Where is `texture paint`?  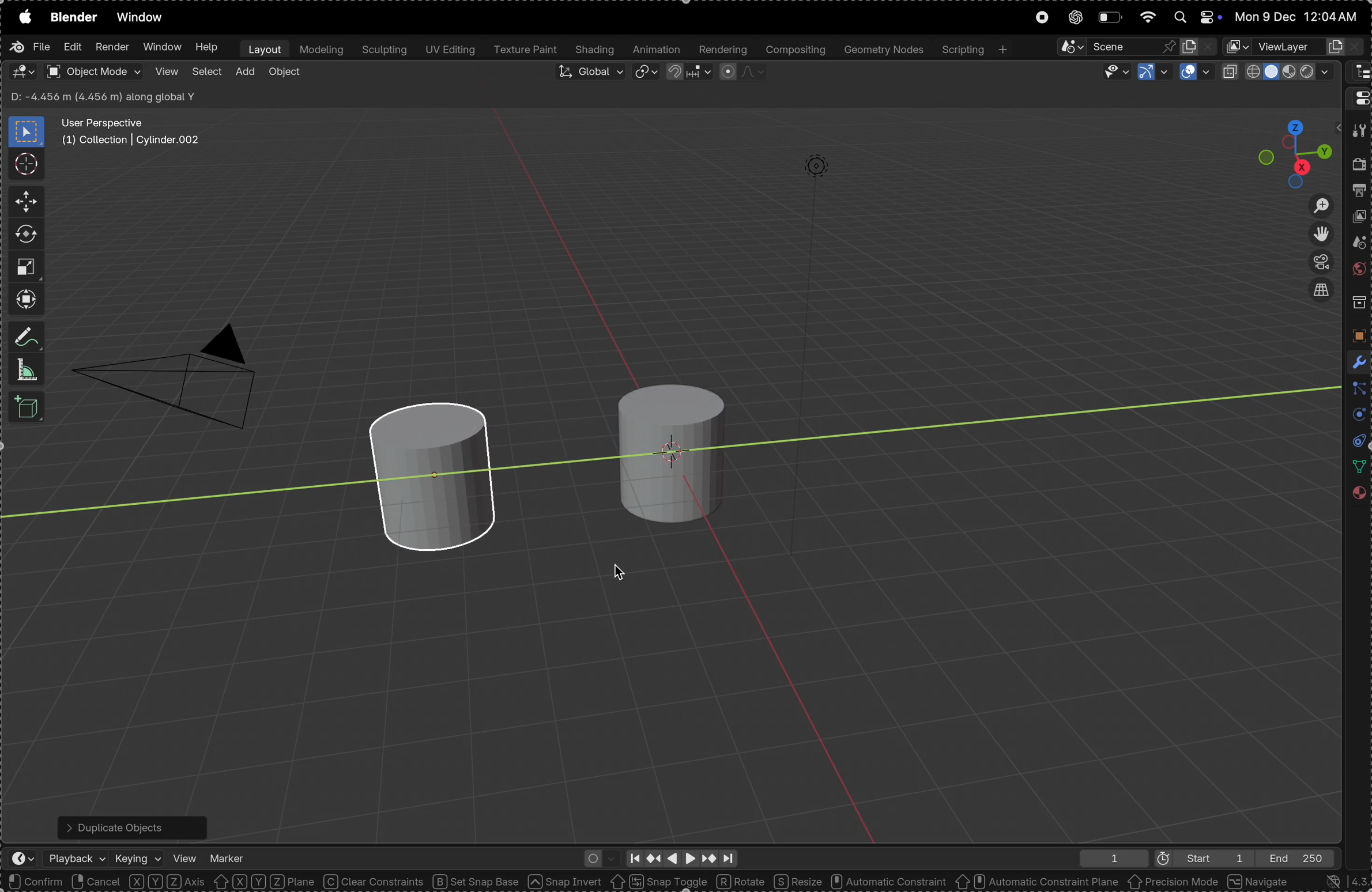
texture paint is located at coordinates (525, 50).